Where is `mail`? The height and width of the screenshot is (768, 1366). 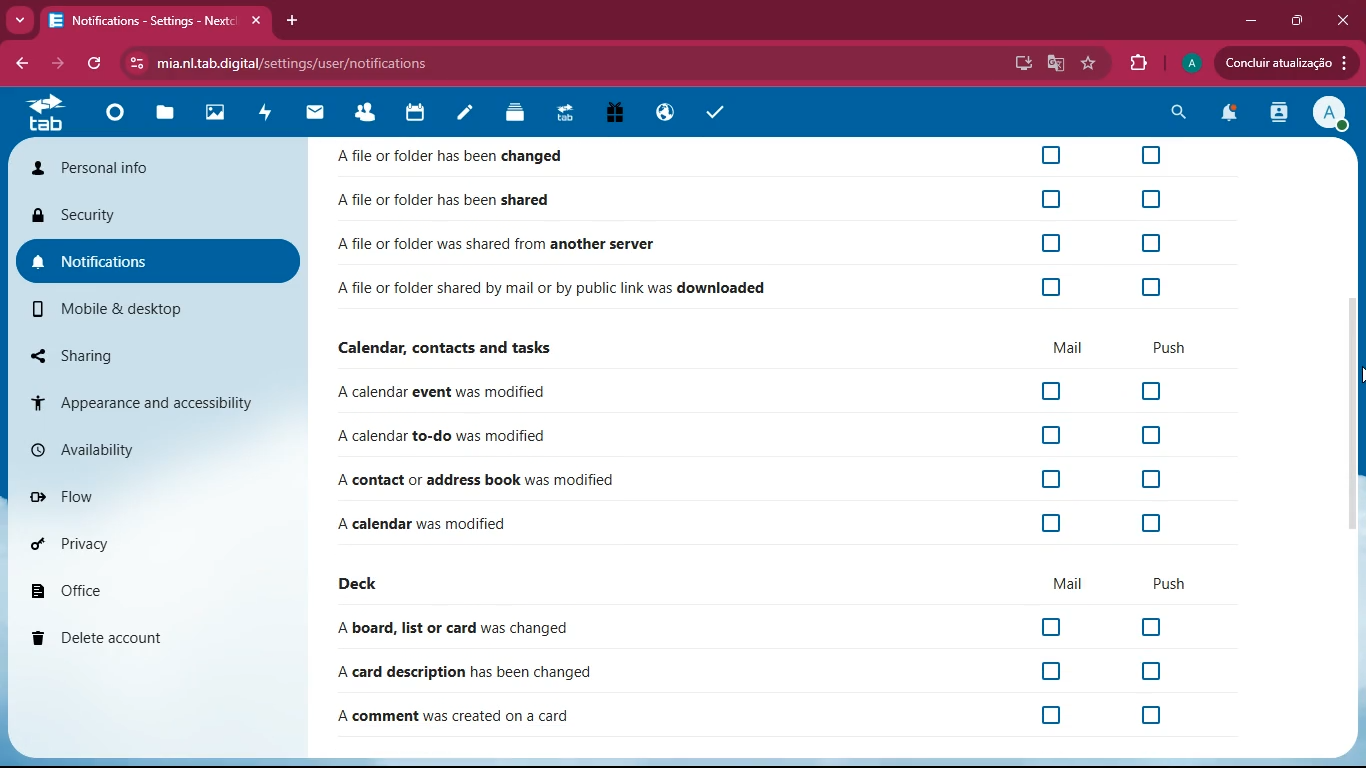 mail is located at coordinates (320, 115).